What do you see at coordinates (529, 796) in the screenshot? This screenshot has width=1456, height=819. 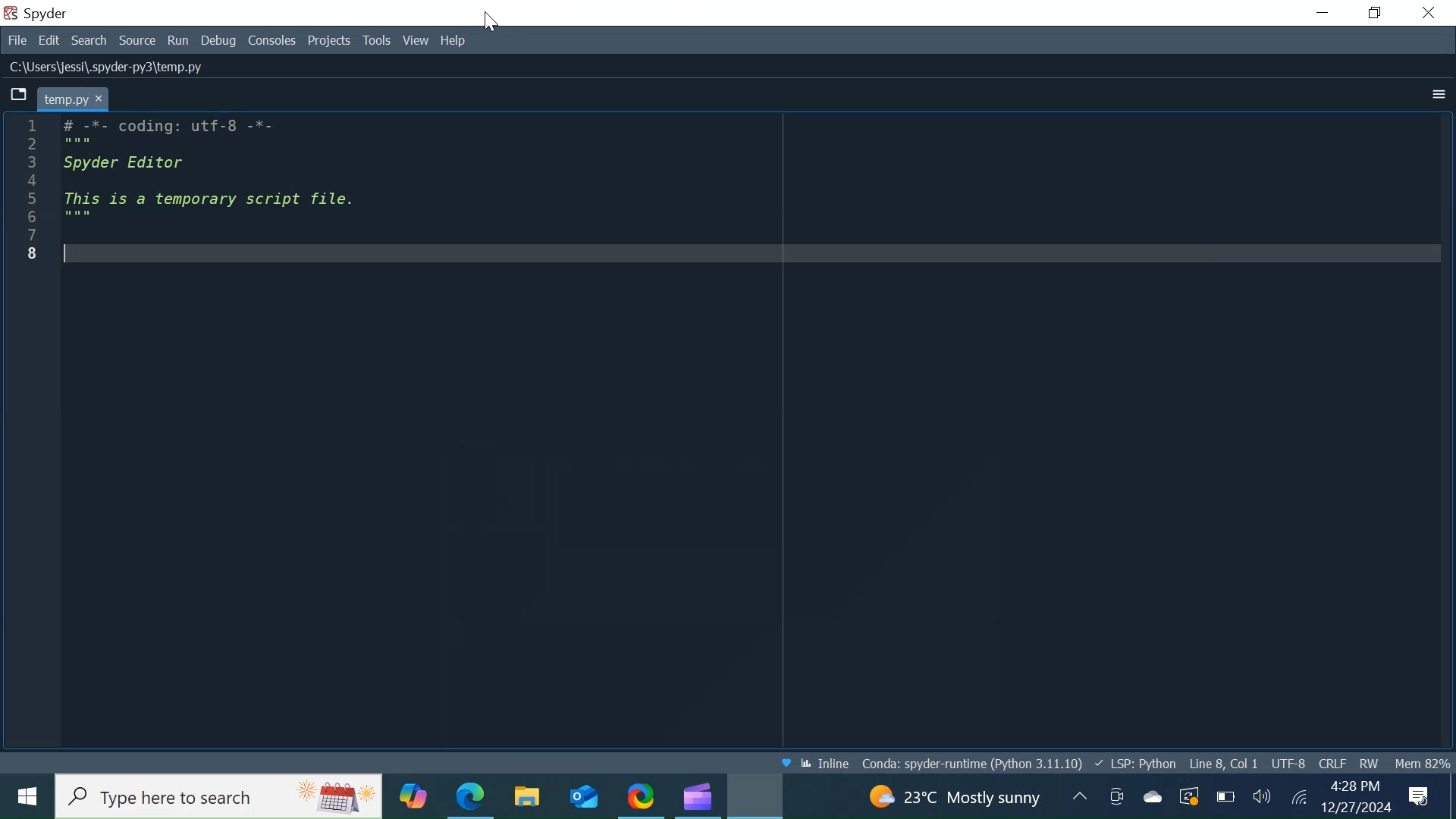 I see `File Explorer` at bounding box center [529, 796].